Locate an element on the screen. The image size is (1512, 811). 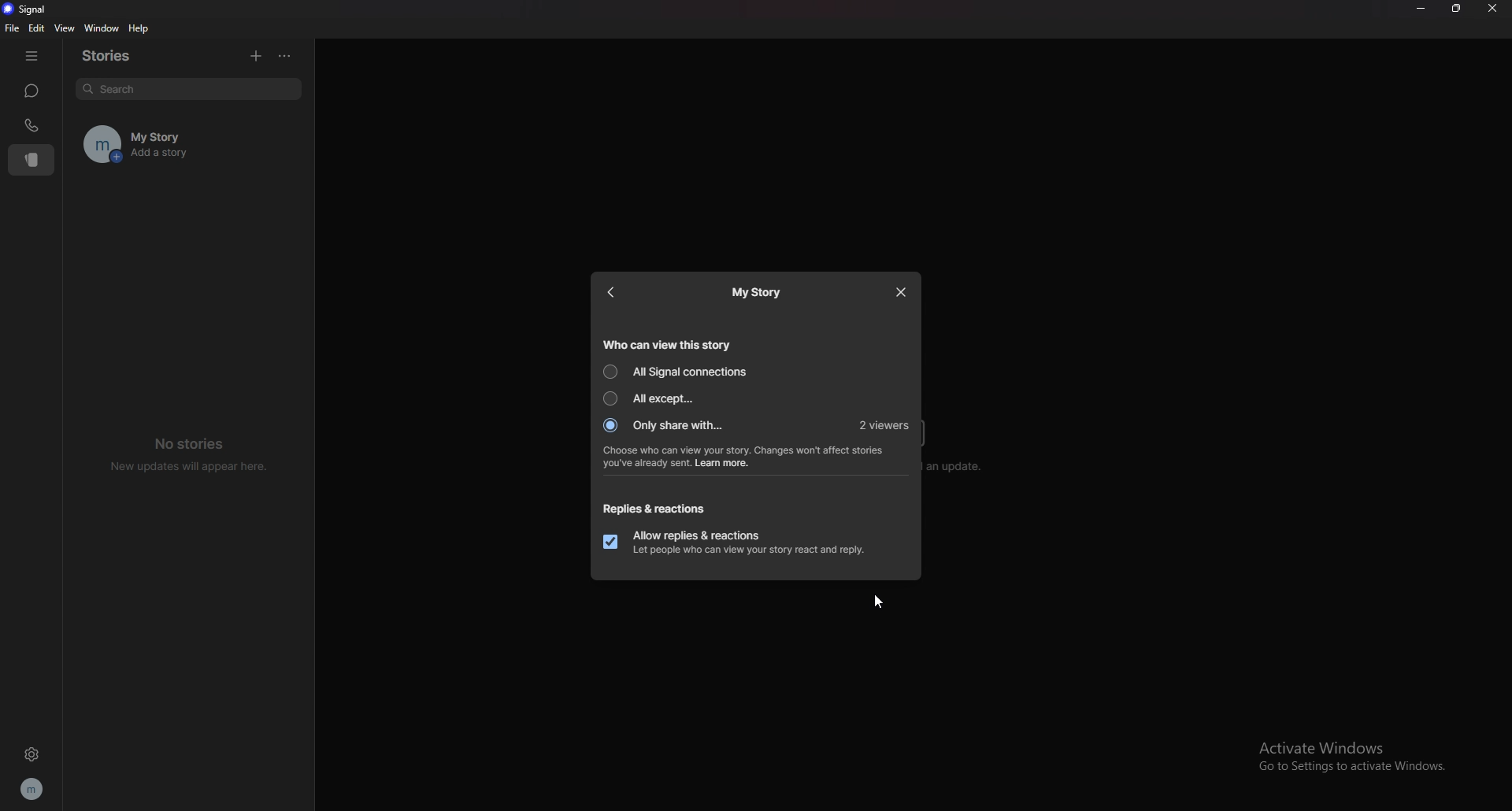
help is located at coordinates (139, 29).